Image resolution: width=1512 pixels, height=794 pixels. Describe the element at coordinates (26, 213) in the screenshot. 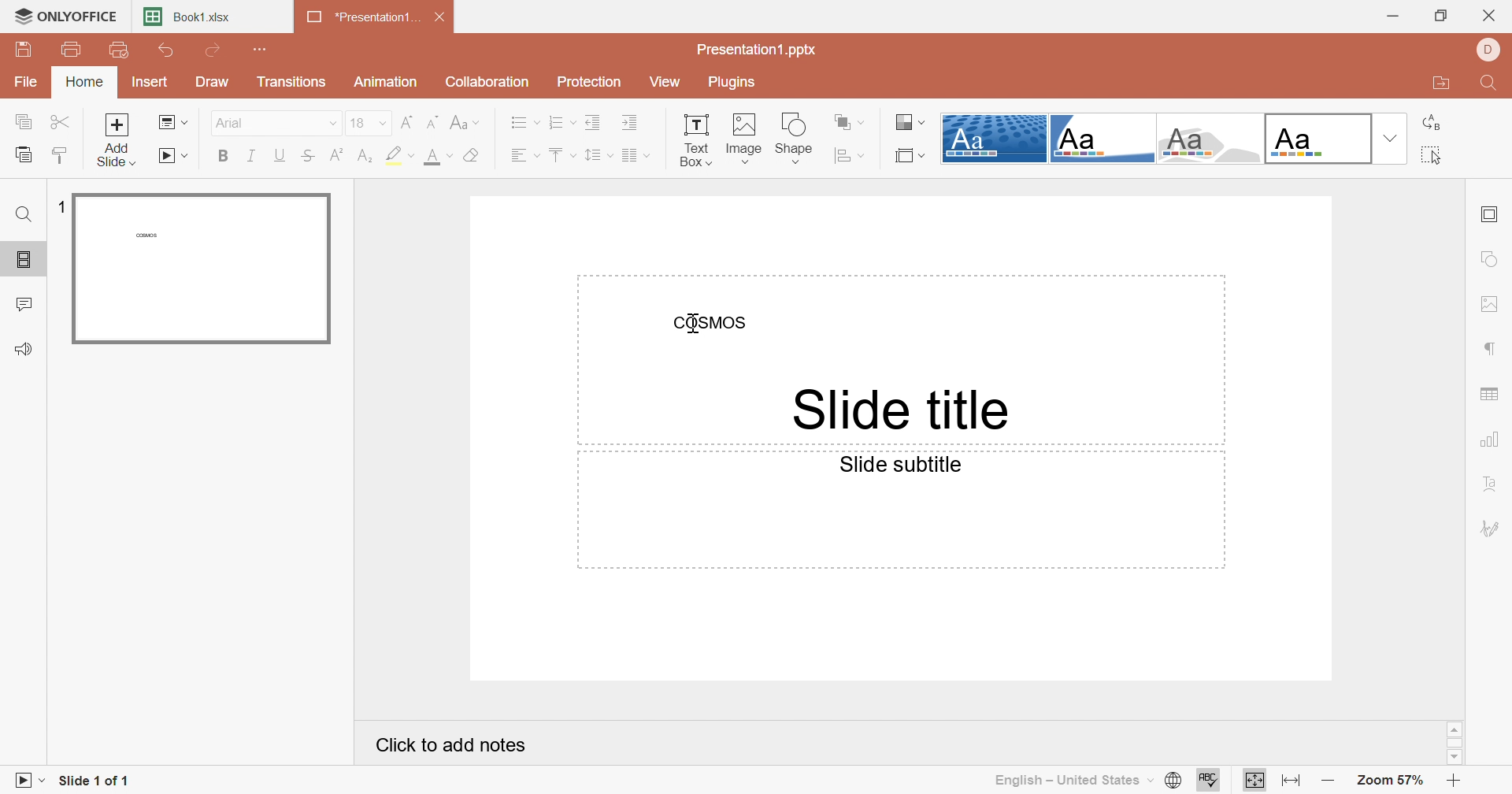

I see `Find` at that location.